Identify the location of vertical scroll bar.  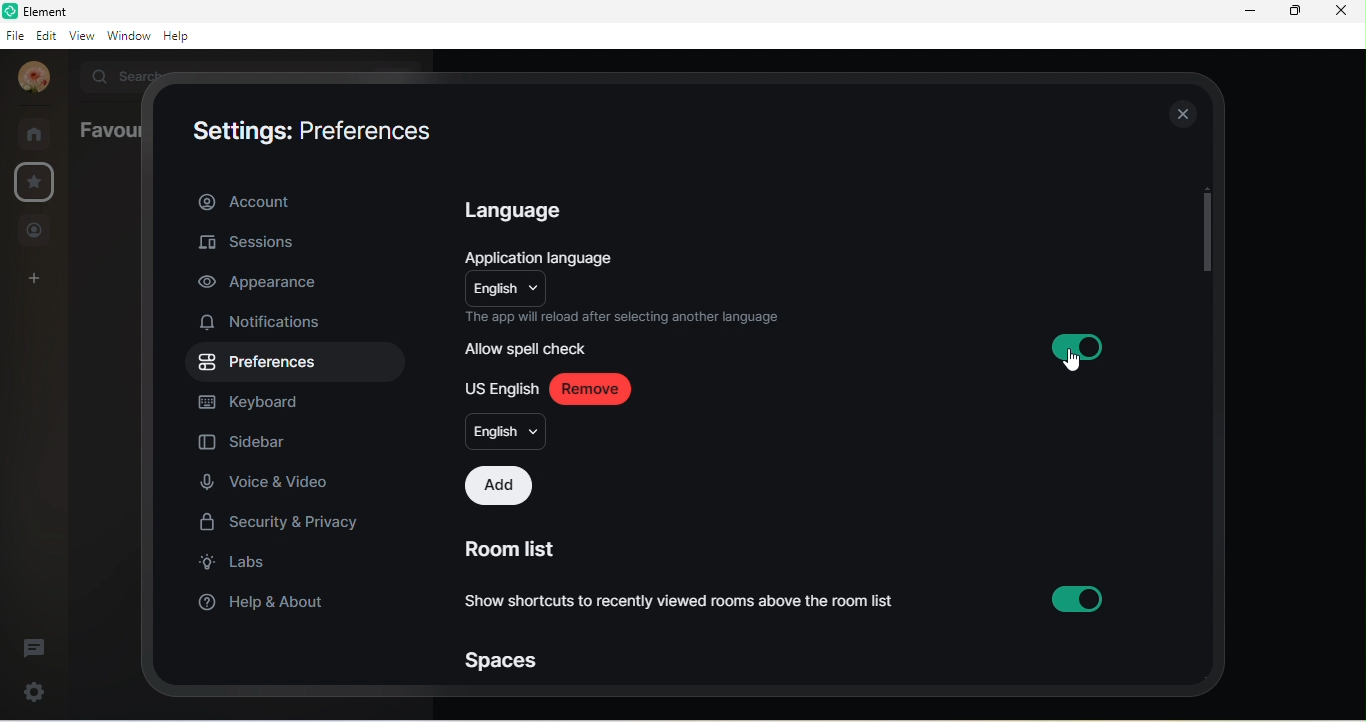
(1209, 235).